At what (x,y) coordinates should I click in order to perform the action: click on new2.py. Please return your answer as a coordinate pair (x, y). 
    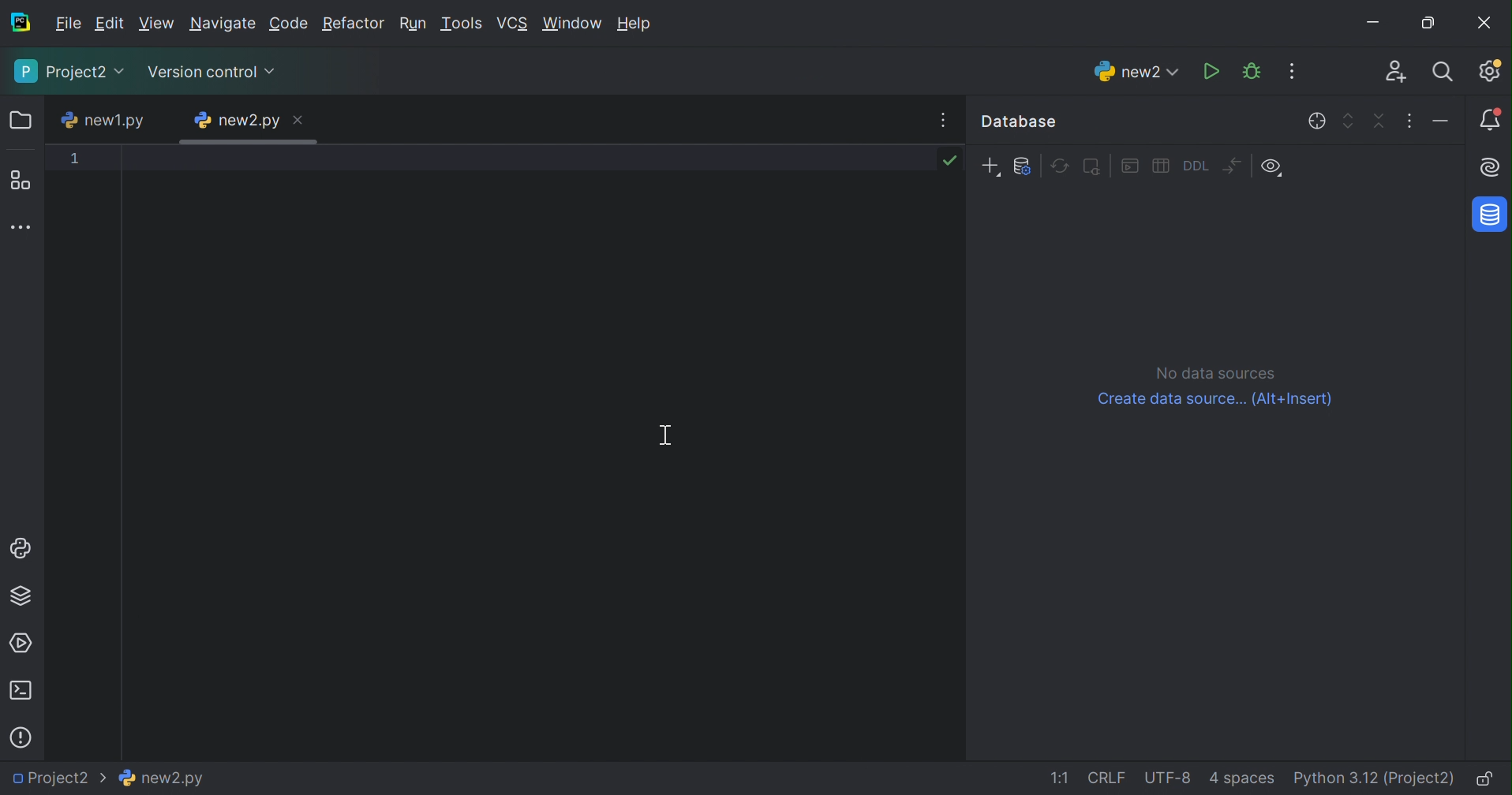
    Looking at the image, I should click on (163, 775).